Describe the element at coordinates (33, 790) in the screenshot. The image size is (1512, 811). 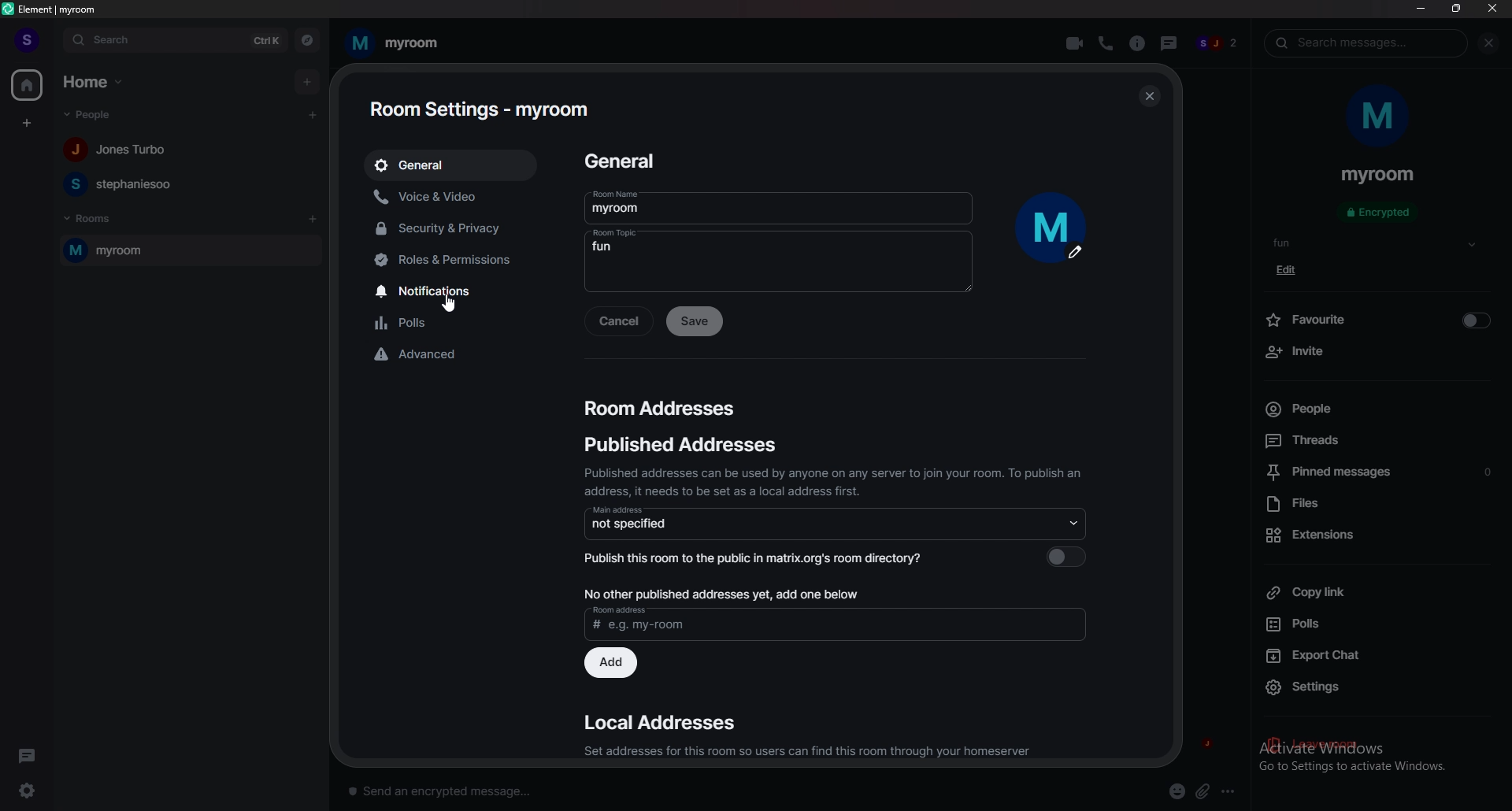
I see `settings` at that location.